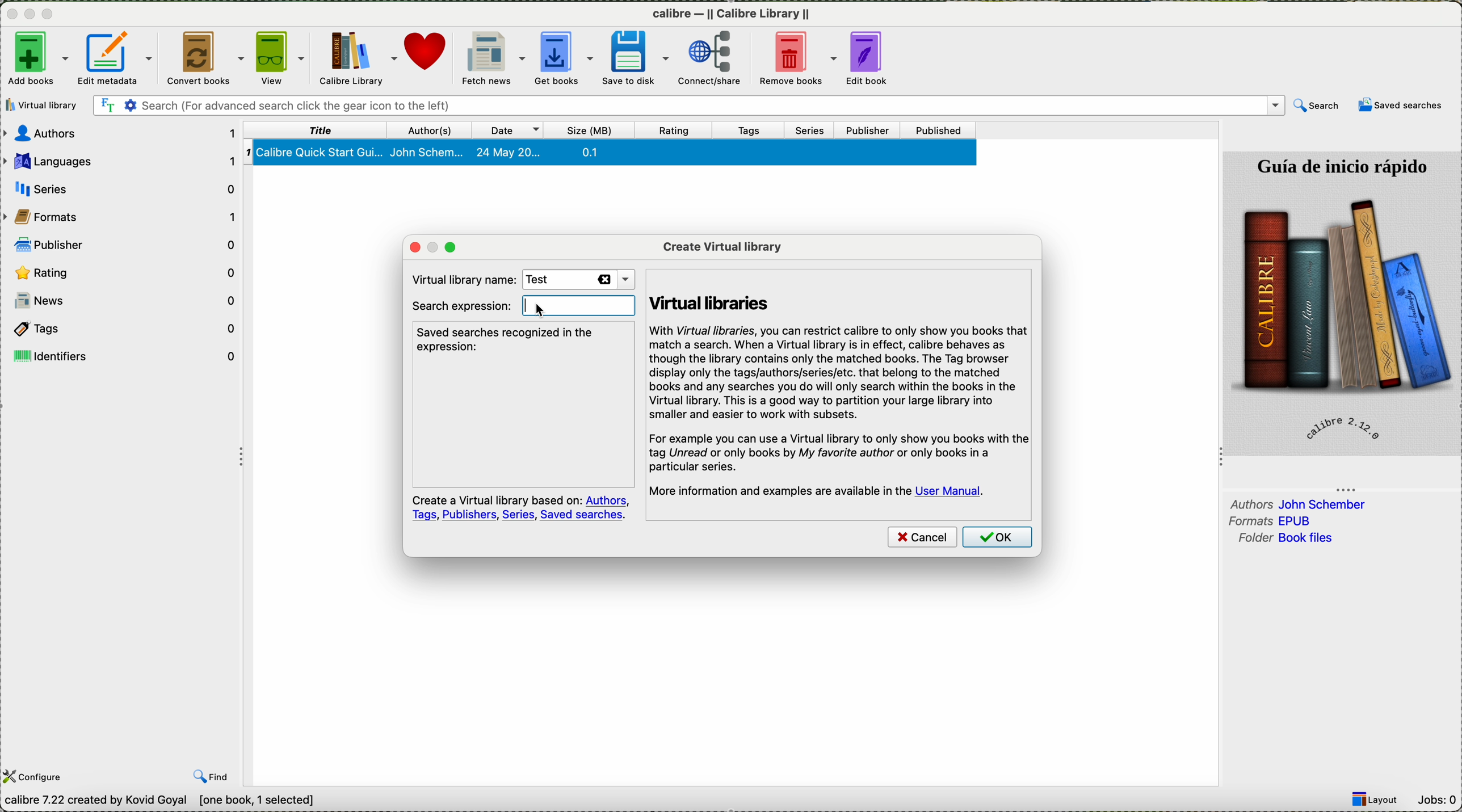  I want to click on find, so click(213, 777).